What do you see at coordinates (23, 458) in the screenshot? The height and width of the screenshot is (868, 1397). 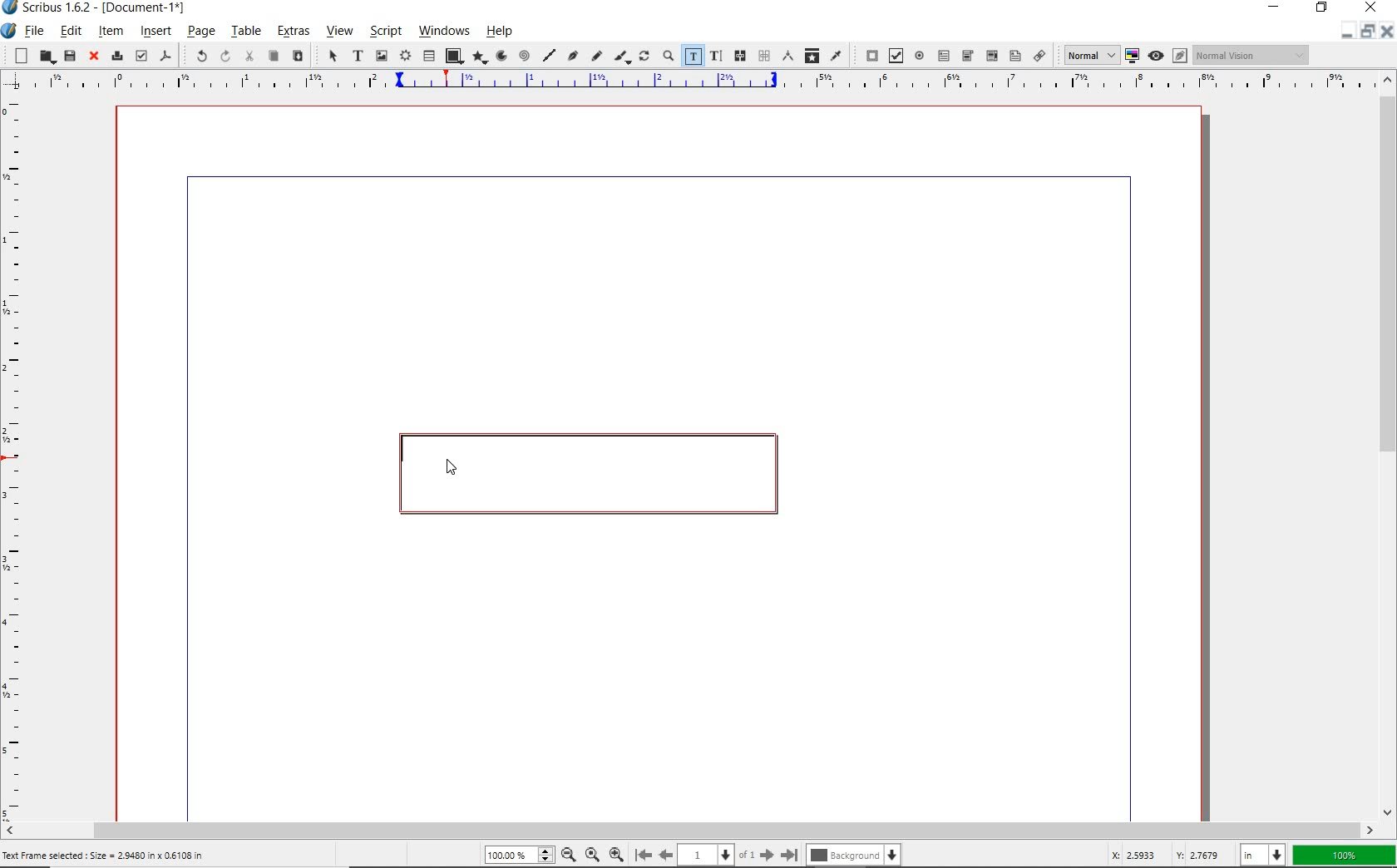 I see `Horizontal page margin` at bounding box center [23, 458].